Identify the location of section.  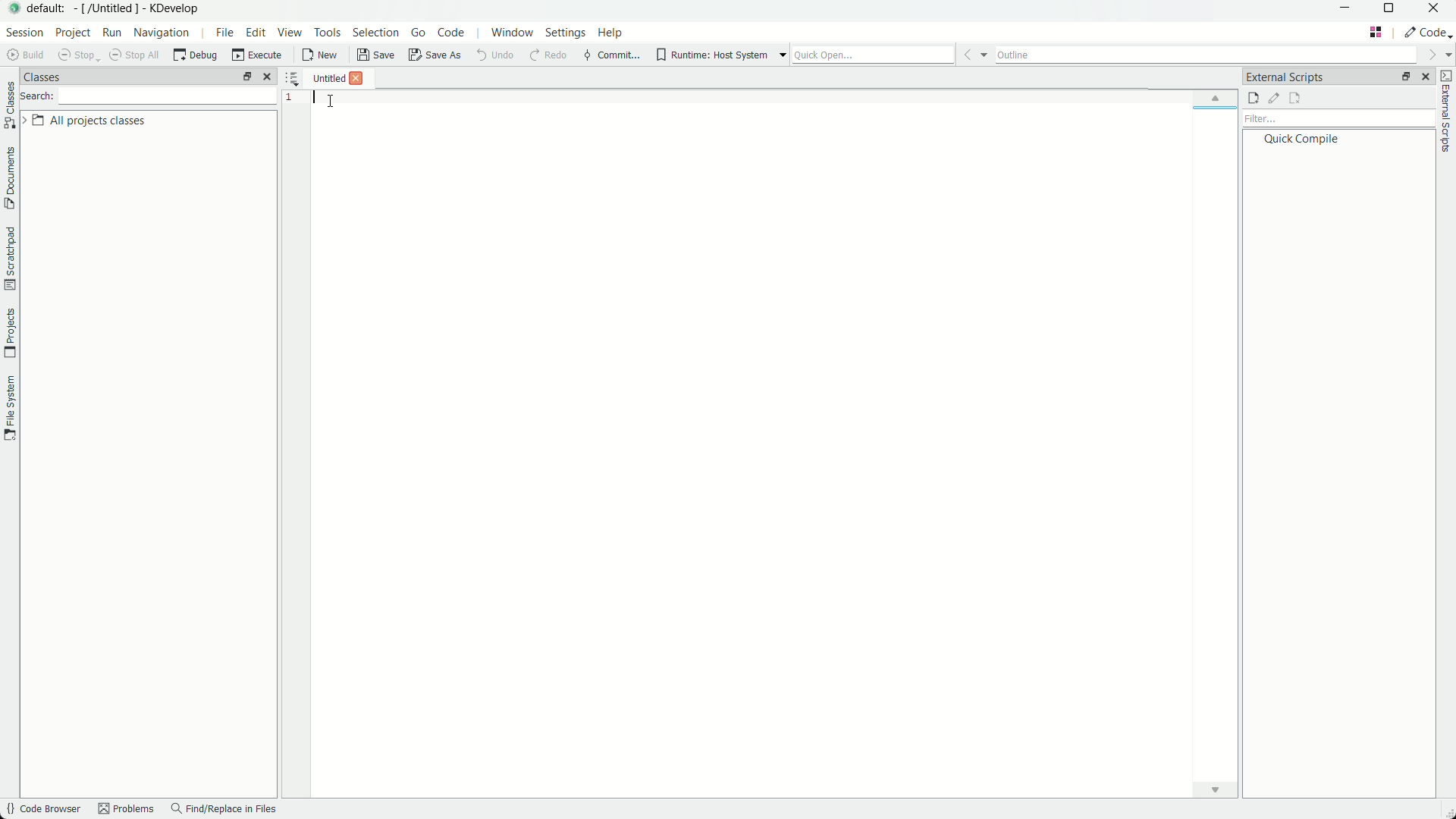
(22, 35).